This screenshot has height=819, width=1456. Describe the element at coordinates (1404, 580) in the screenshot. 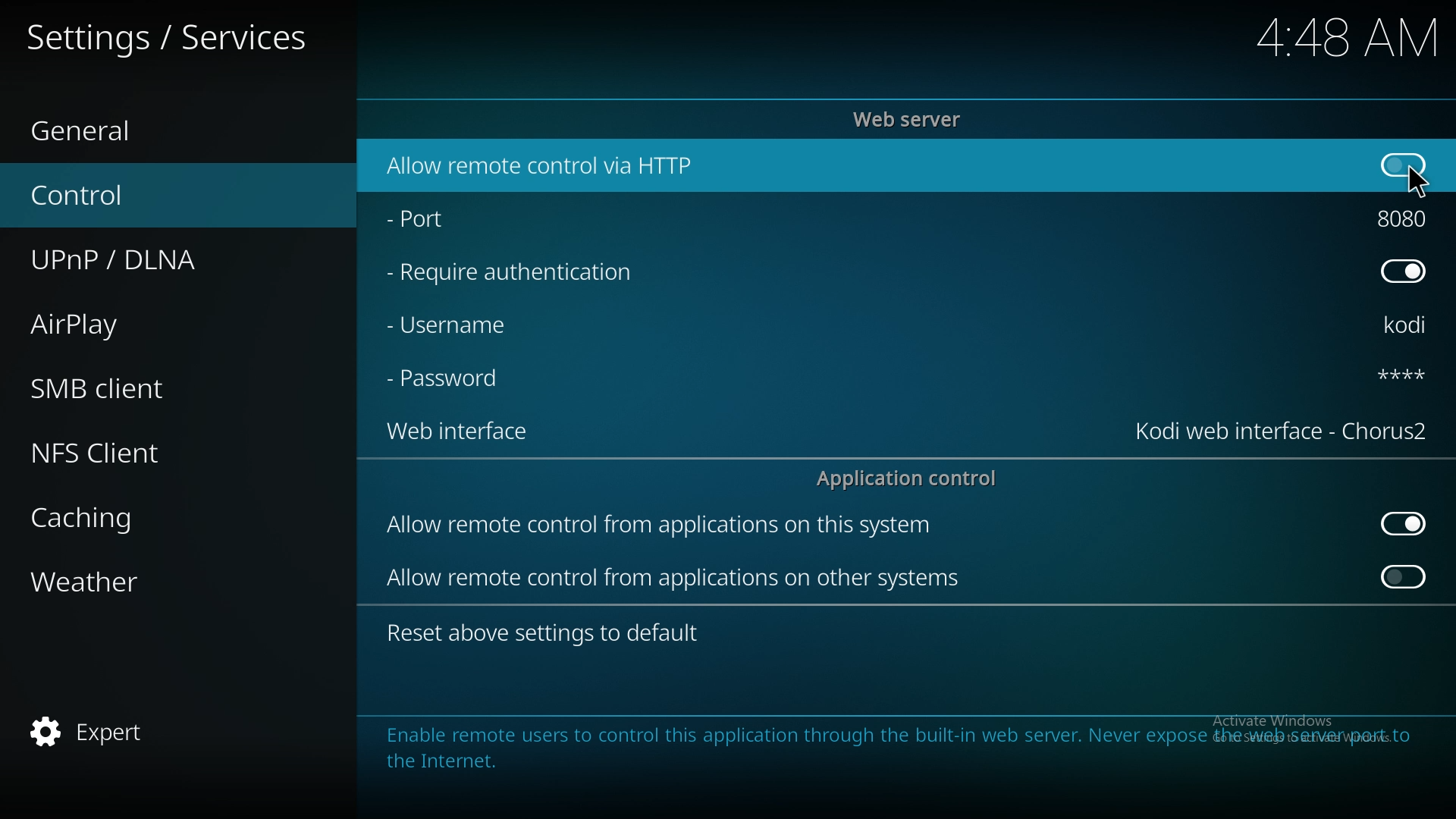

I see `on` at that location.